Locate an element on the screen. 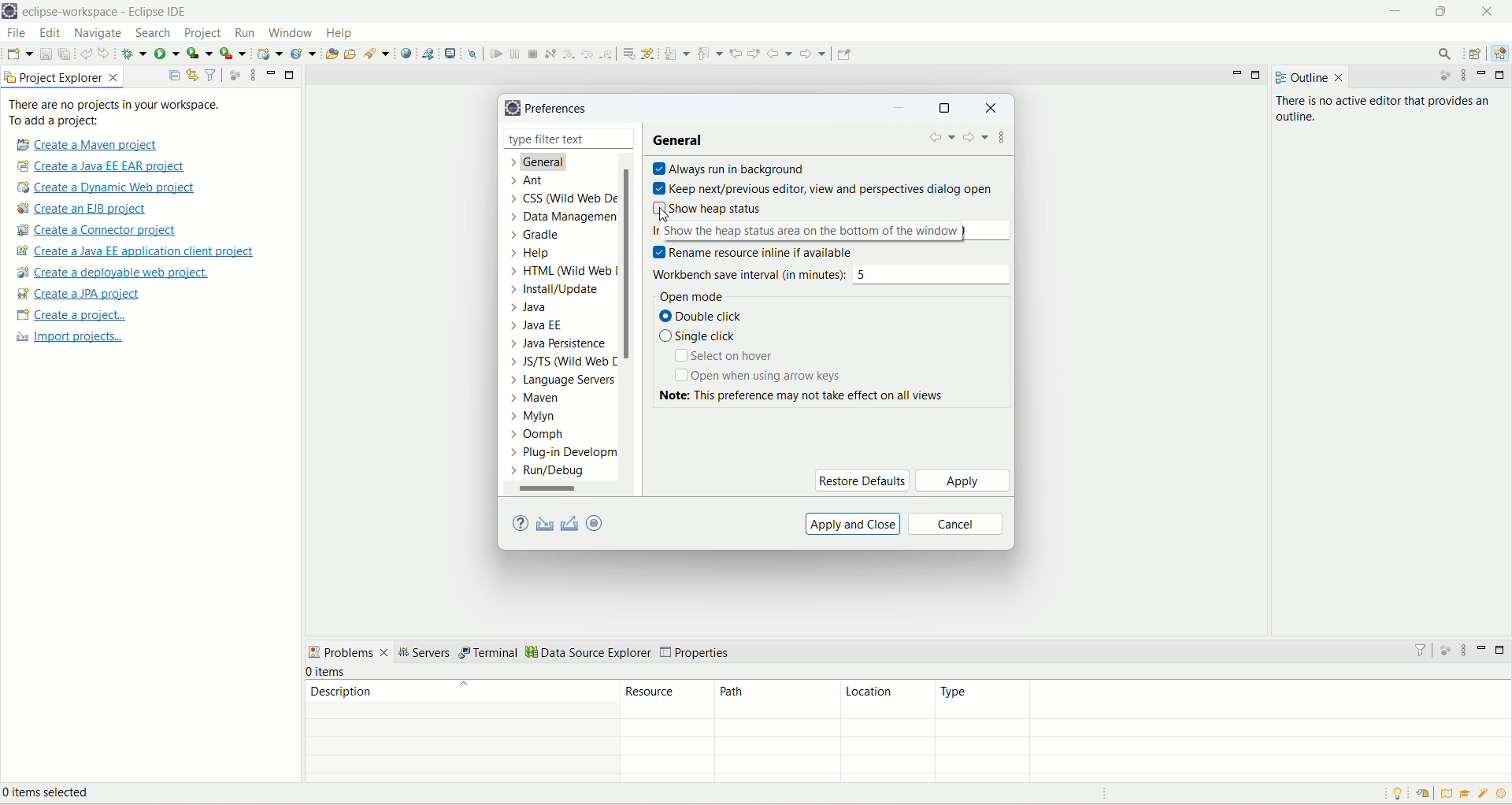  new is located at coordinates (19, 54).